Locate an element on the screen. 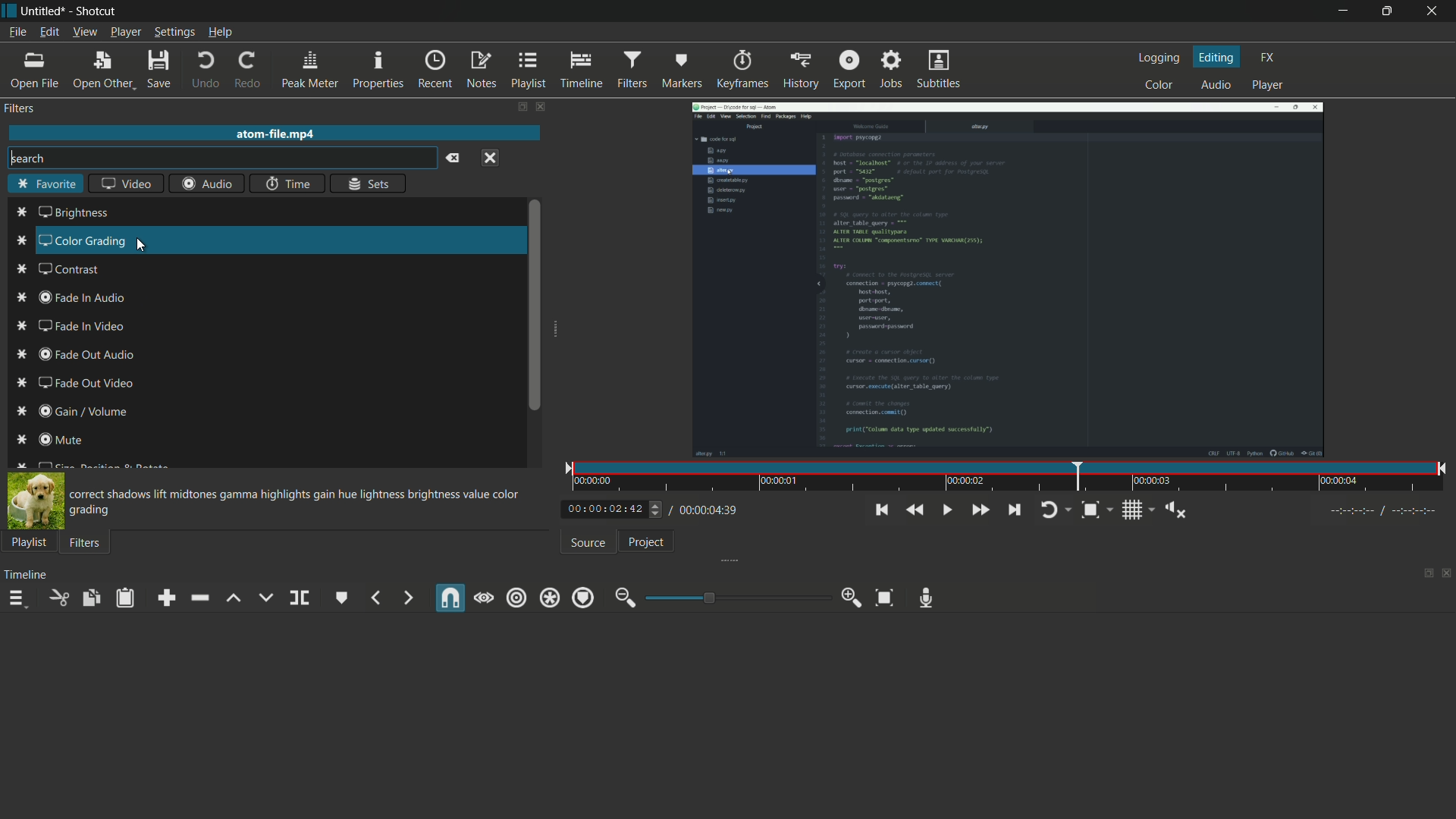 The image size is (1456, 819). peak meter is located at coordinates (310, 71).